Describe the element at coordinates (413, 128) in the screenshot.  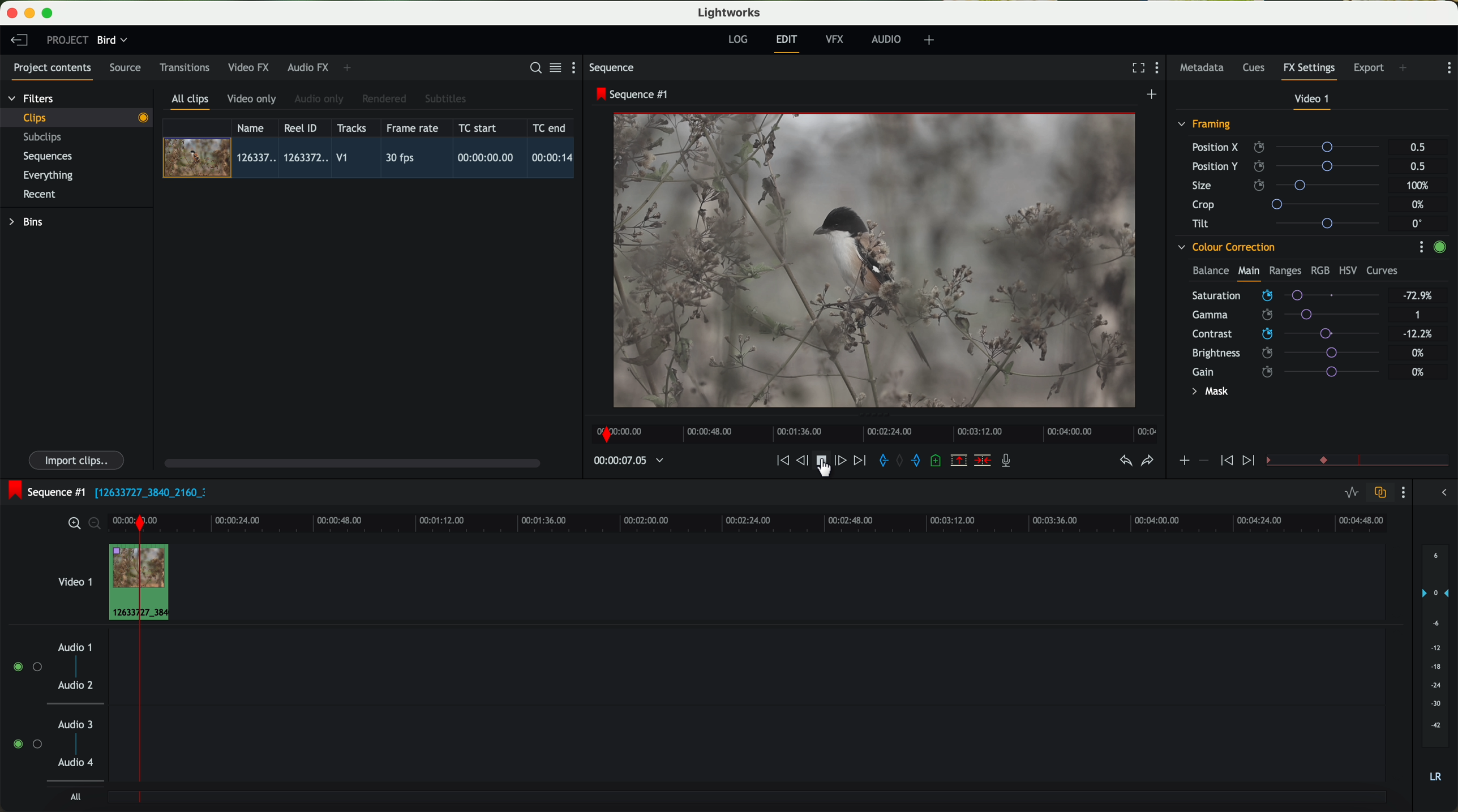
I see `frame rate` at that location.